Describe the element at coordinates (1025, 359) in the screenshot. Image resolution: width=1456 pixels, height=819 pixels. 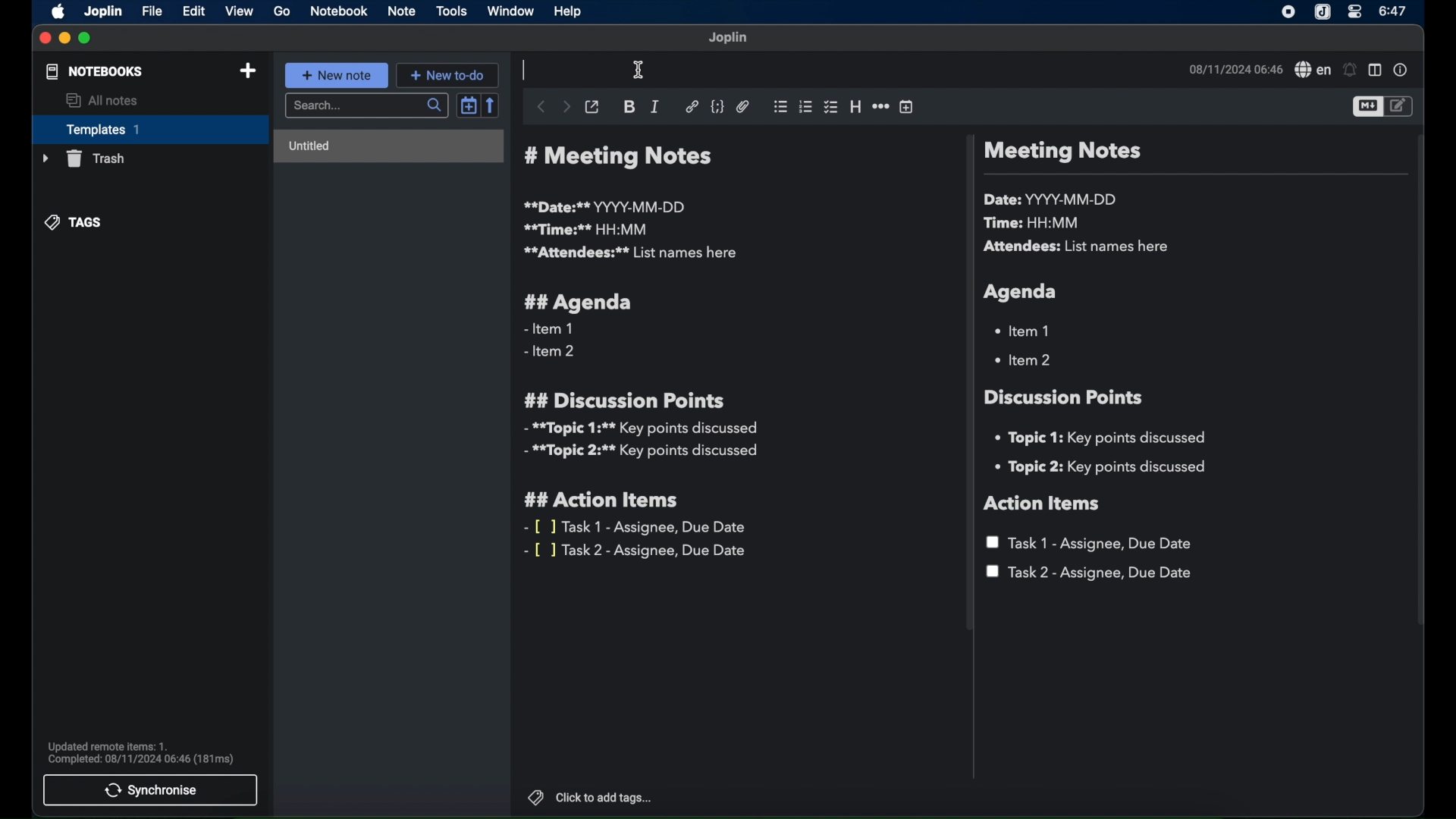
I see `item 2` at that location.